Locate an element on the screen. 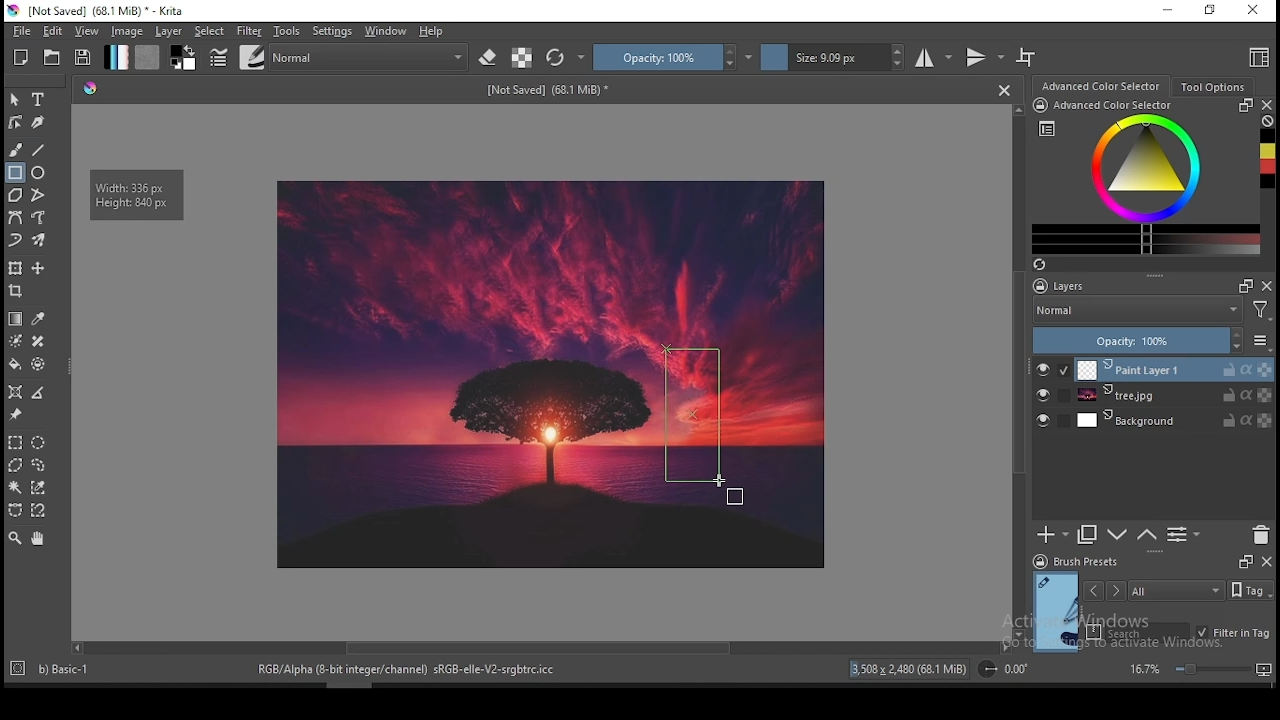 This screenshot has height=720, width=1280. new is located at coordinates (22, 57).